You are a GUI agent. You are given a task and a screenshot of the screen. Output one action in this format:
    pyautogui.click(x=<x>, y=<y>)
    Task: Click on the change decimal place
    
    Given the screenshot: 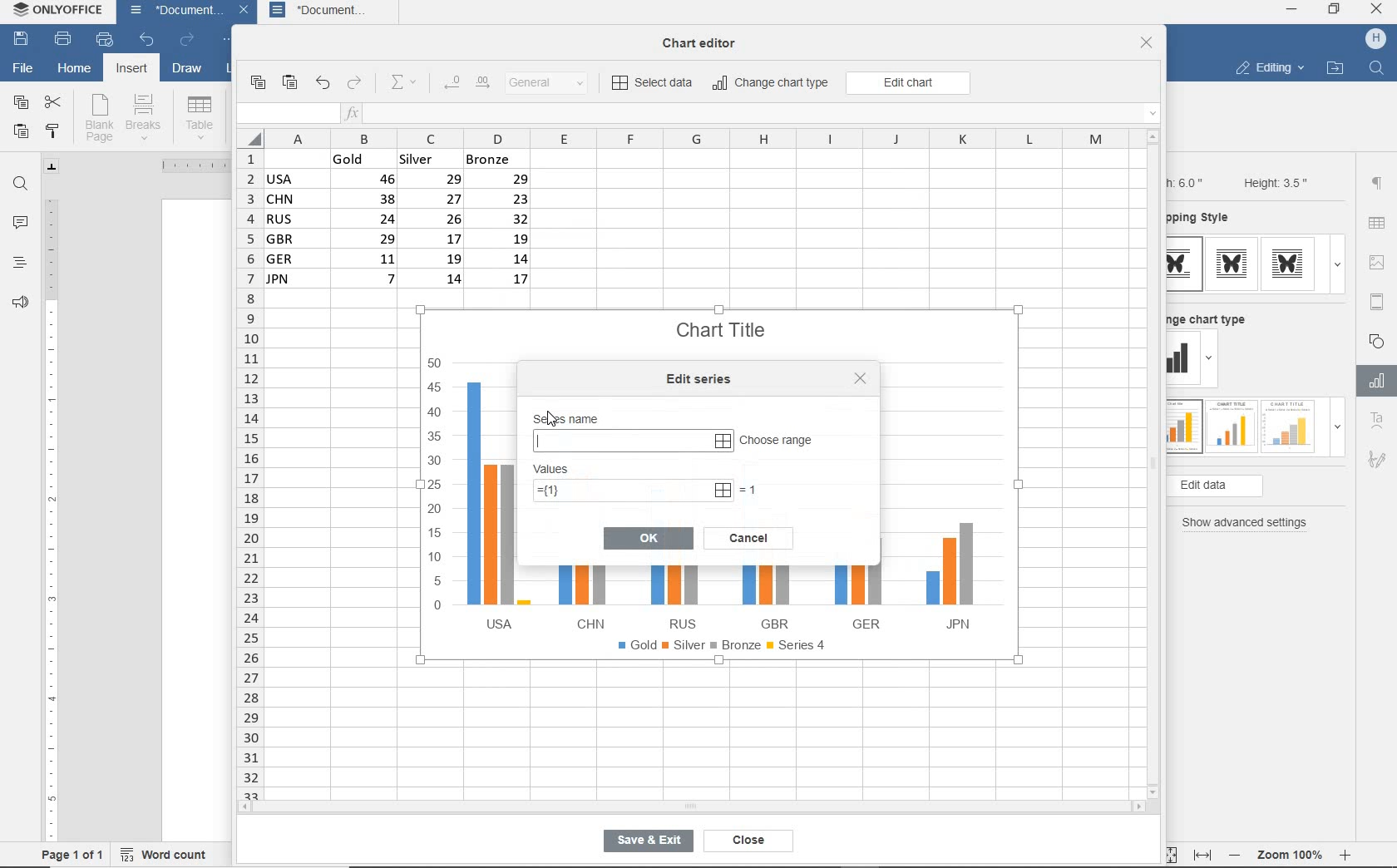 What is the action you would take?
    pyautogui.click(x=466, y=83)
    